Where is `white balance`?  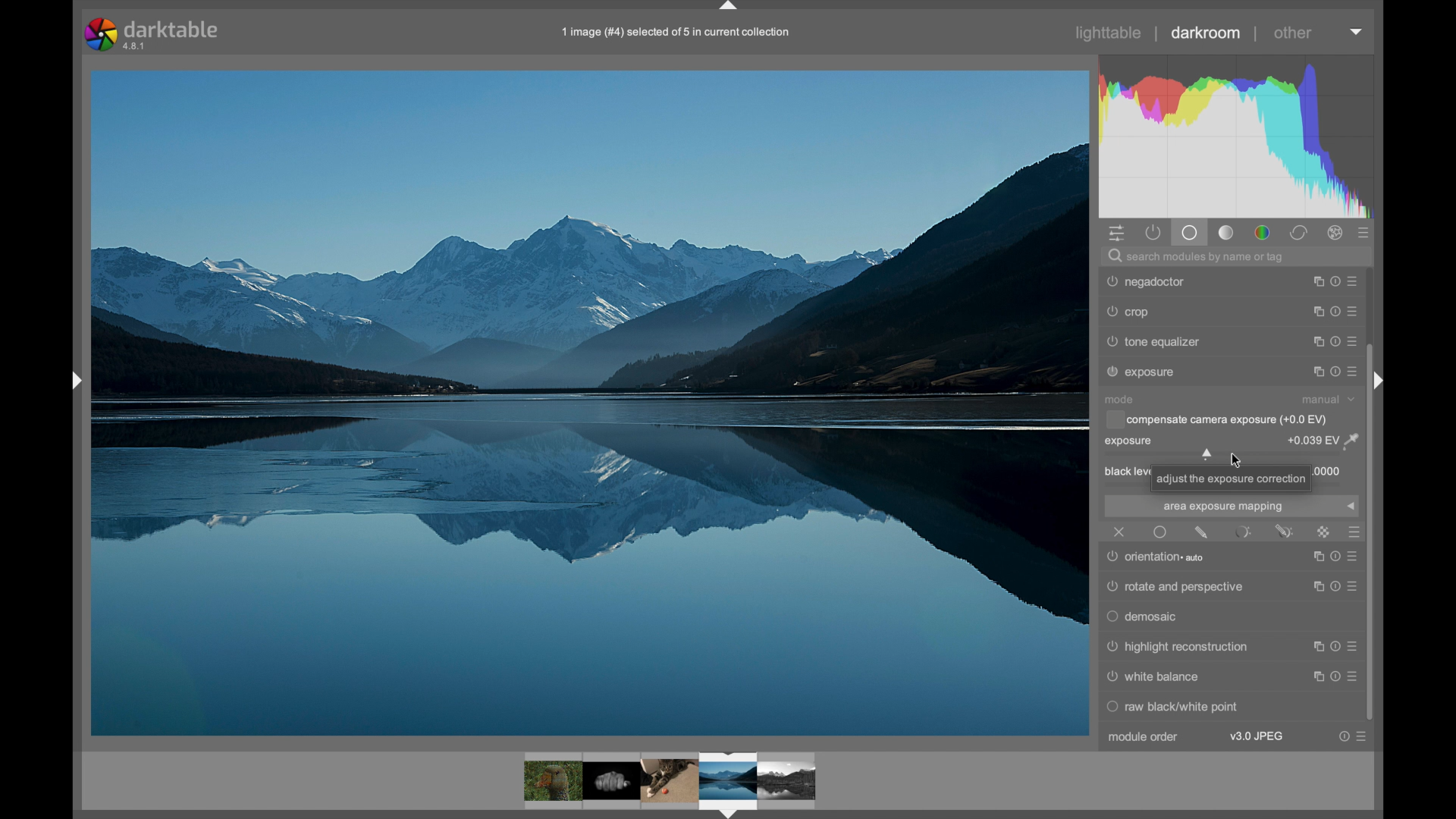
white balance is located at coordinates (1155, 677).